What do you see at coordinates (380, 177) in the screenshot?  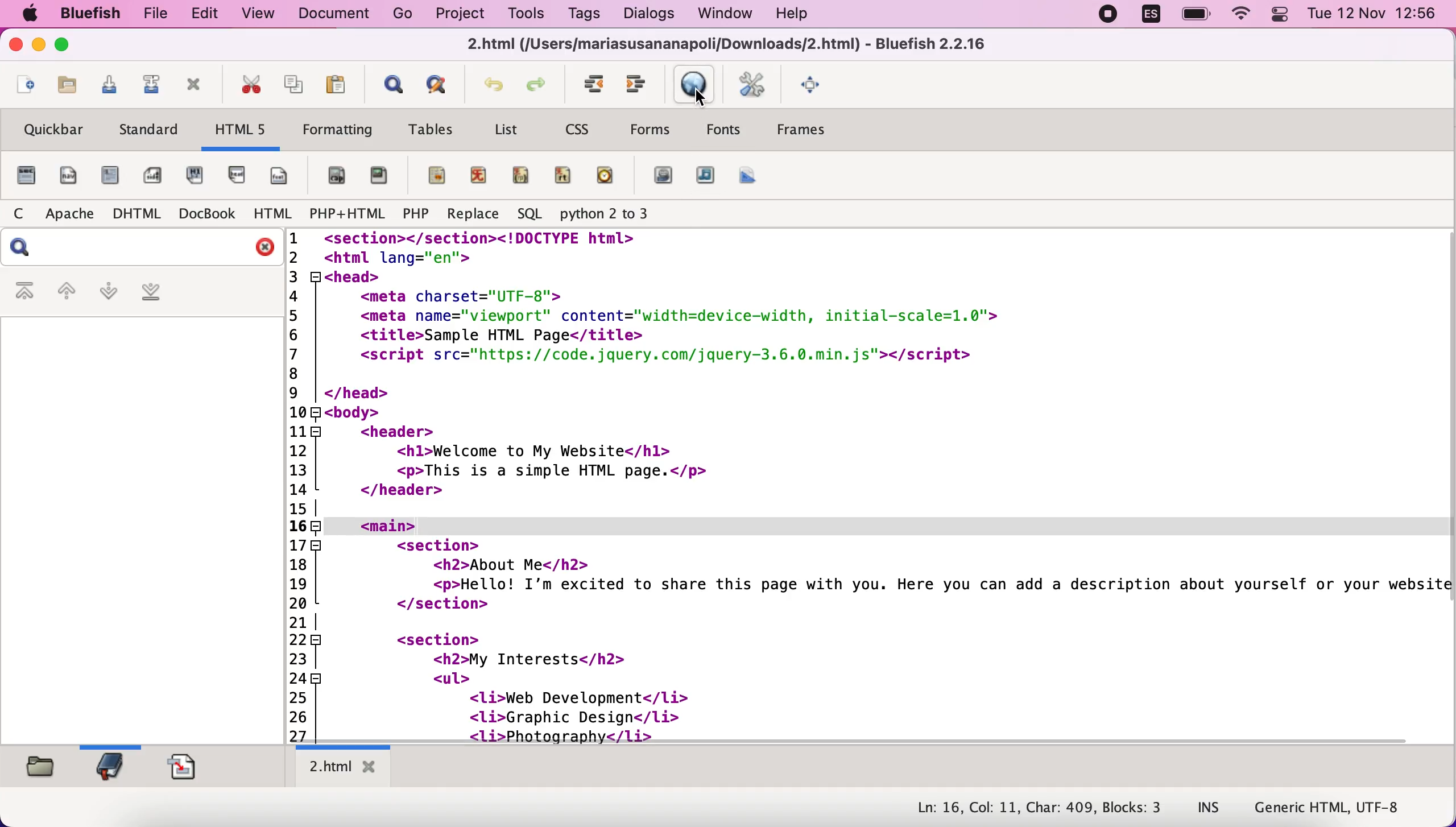 I see `anchor/hyperlink` at bounding box center [380, 177].